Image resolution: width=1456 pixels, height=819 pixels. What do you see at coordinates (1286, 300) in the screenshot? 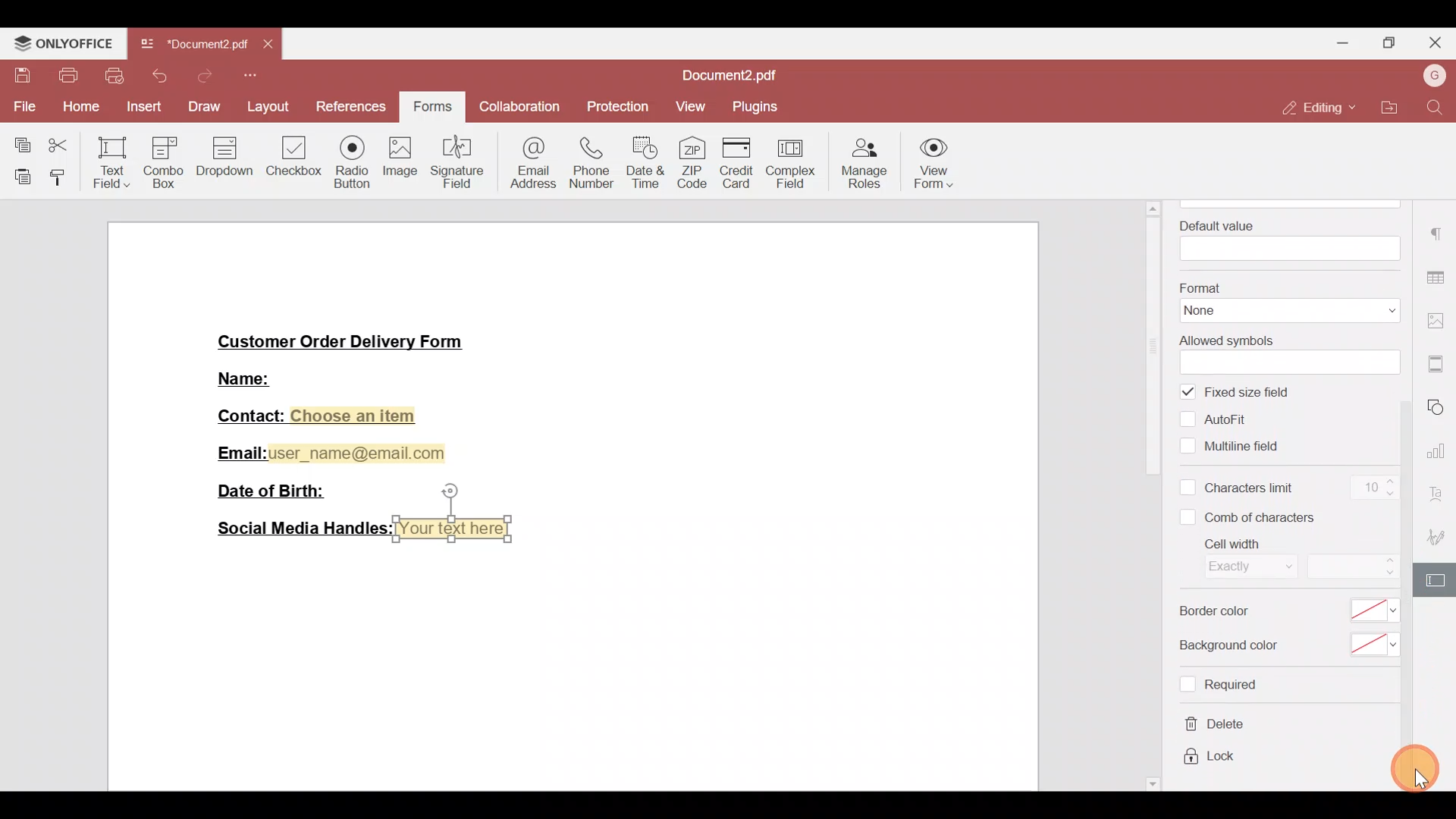
I see `Format` at bounding box center [1286, 300].